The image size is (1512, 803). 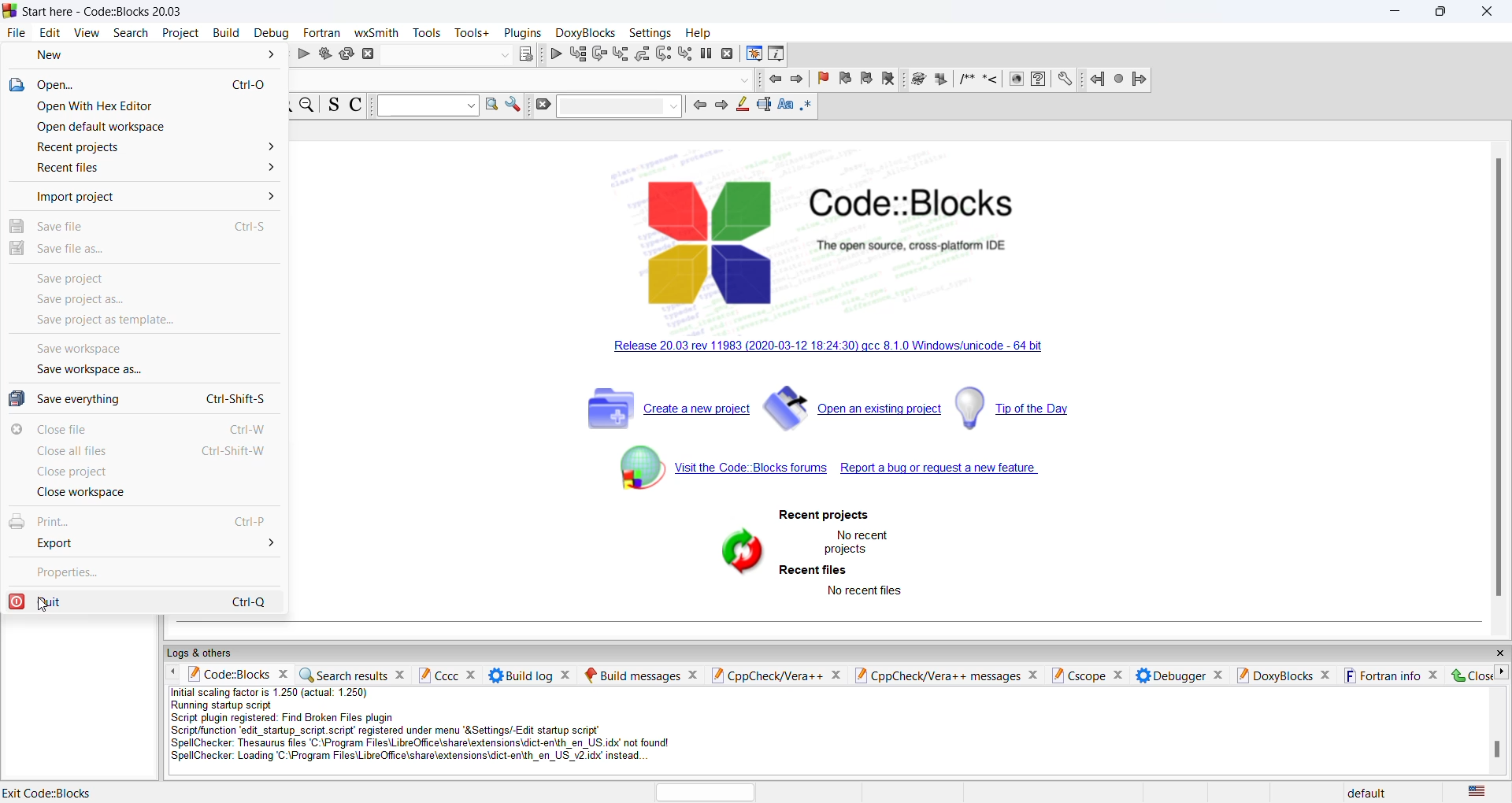 I want to click on Close all files, so click(x=74, y=451).